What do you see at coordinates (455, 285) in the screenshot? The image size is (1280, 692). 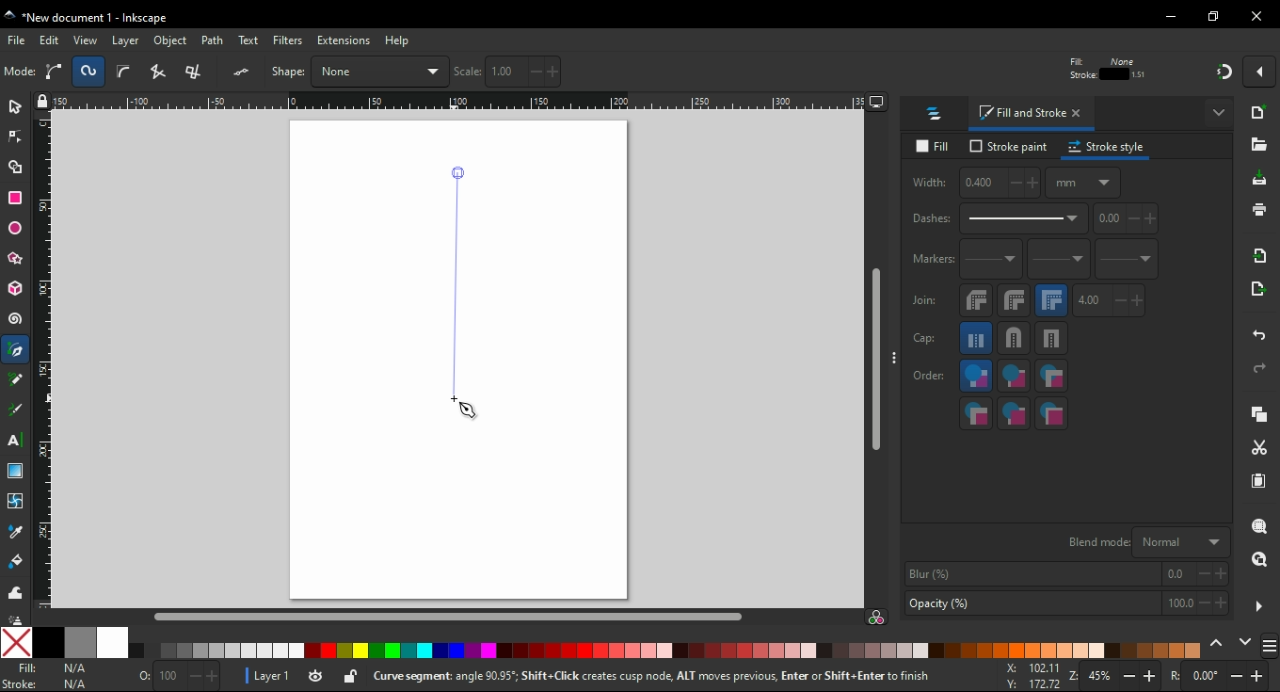 I see `line` at bounding box center [455, 285].